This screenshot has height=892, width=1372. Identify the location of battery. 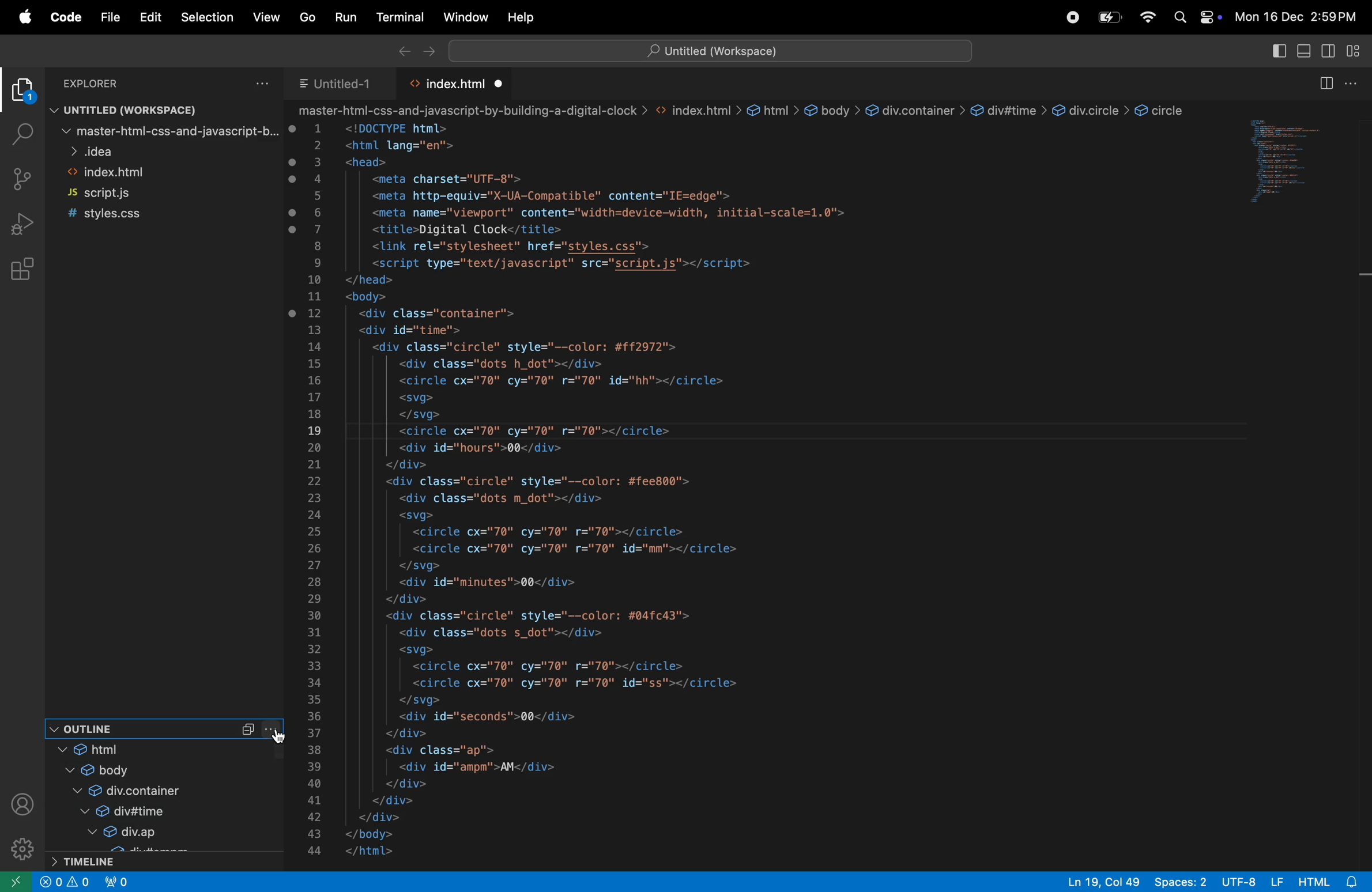
(1107, 17).